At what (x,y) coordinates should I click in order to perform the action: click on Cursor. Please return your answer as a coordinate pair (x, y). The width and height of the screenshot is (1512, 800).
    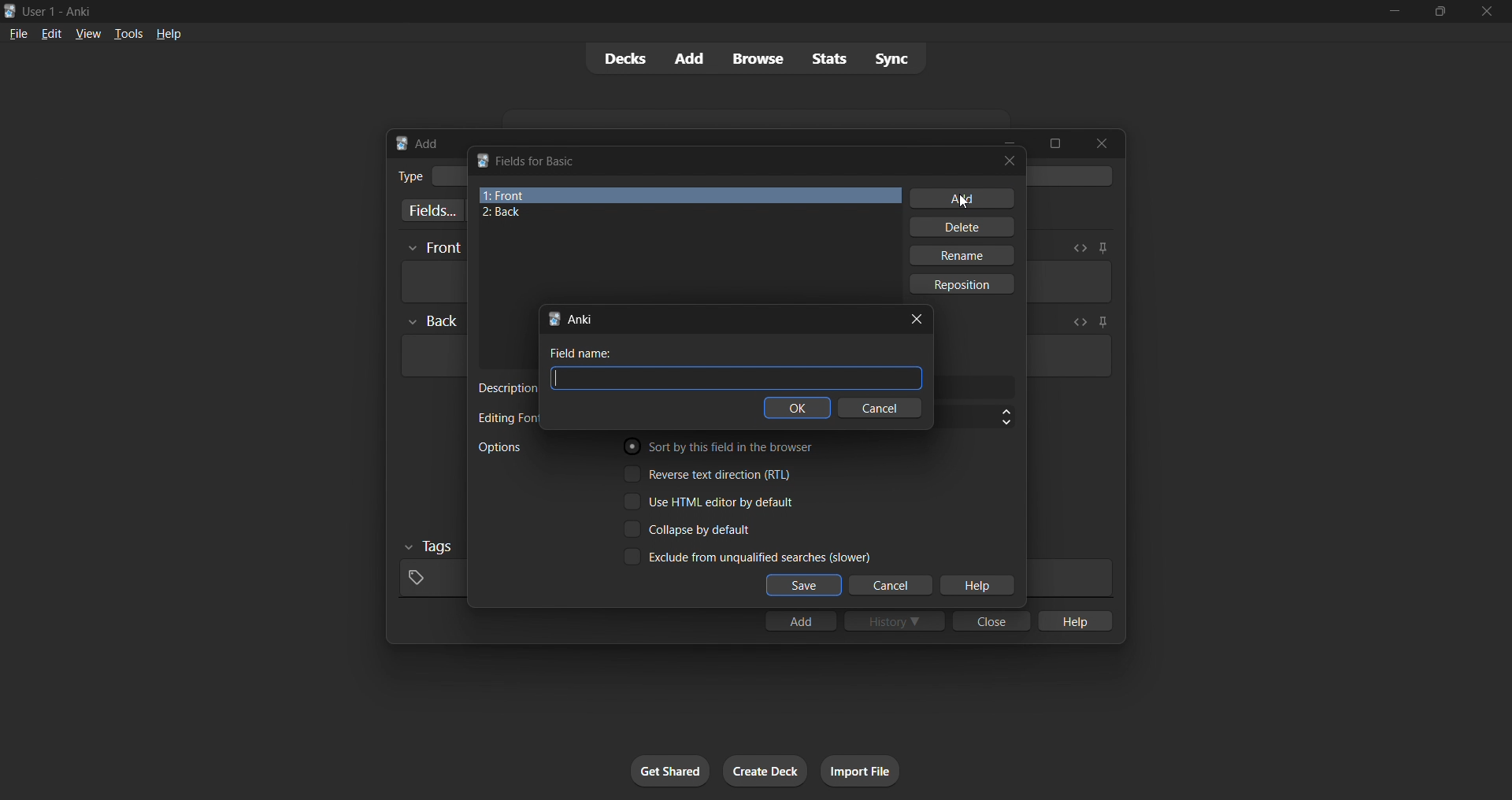
    Looking at the image, I should click on (961, 203).